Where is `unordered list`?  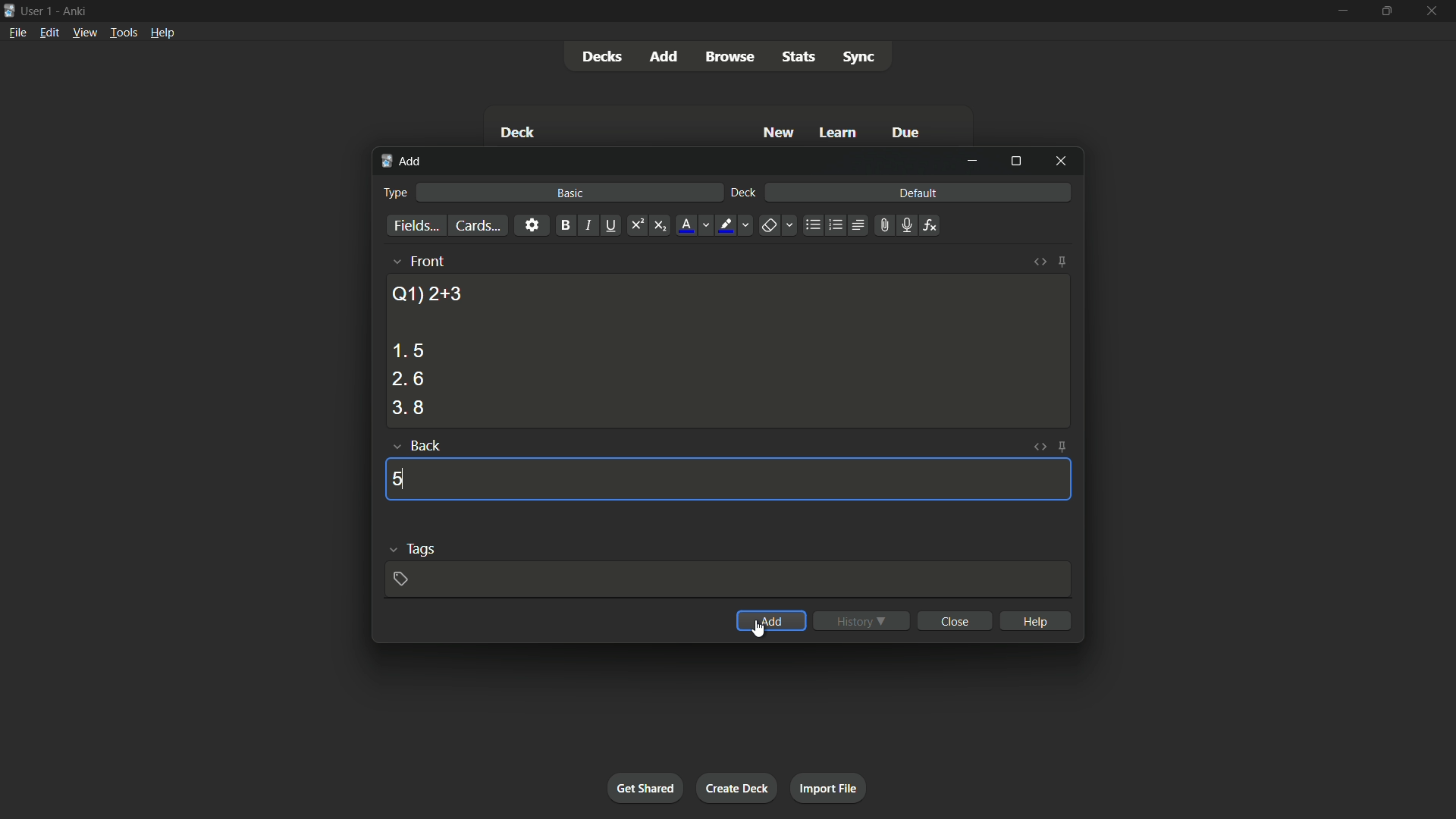 unordered list is located at coordinates (812, 225).